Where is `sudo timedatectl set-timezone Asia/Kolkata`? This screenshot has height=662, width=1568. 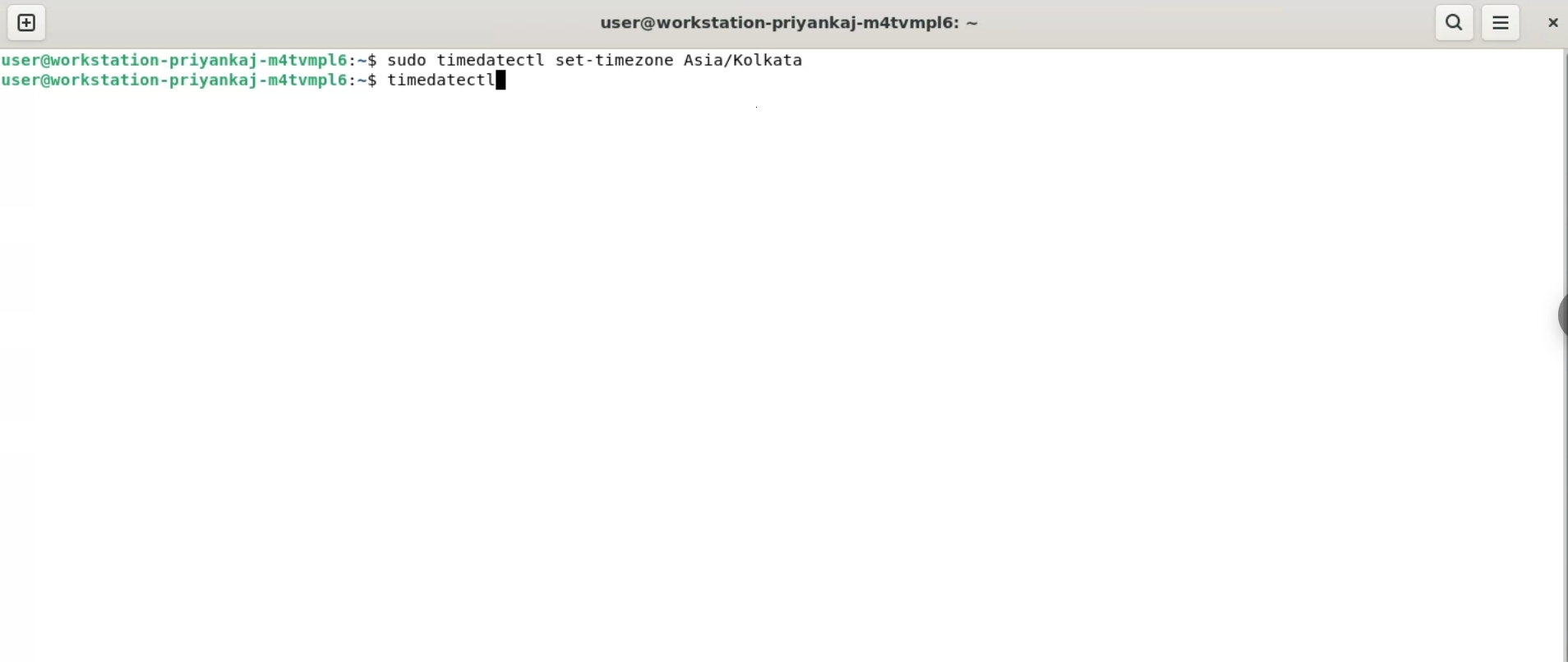 sudo timedatectl set-timezone Asia/Kolkata is located at coordinates (598, 60).